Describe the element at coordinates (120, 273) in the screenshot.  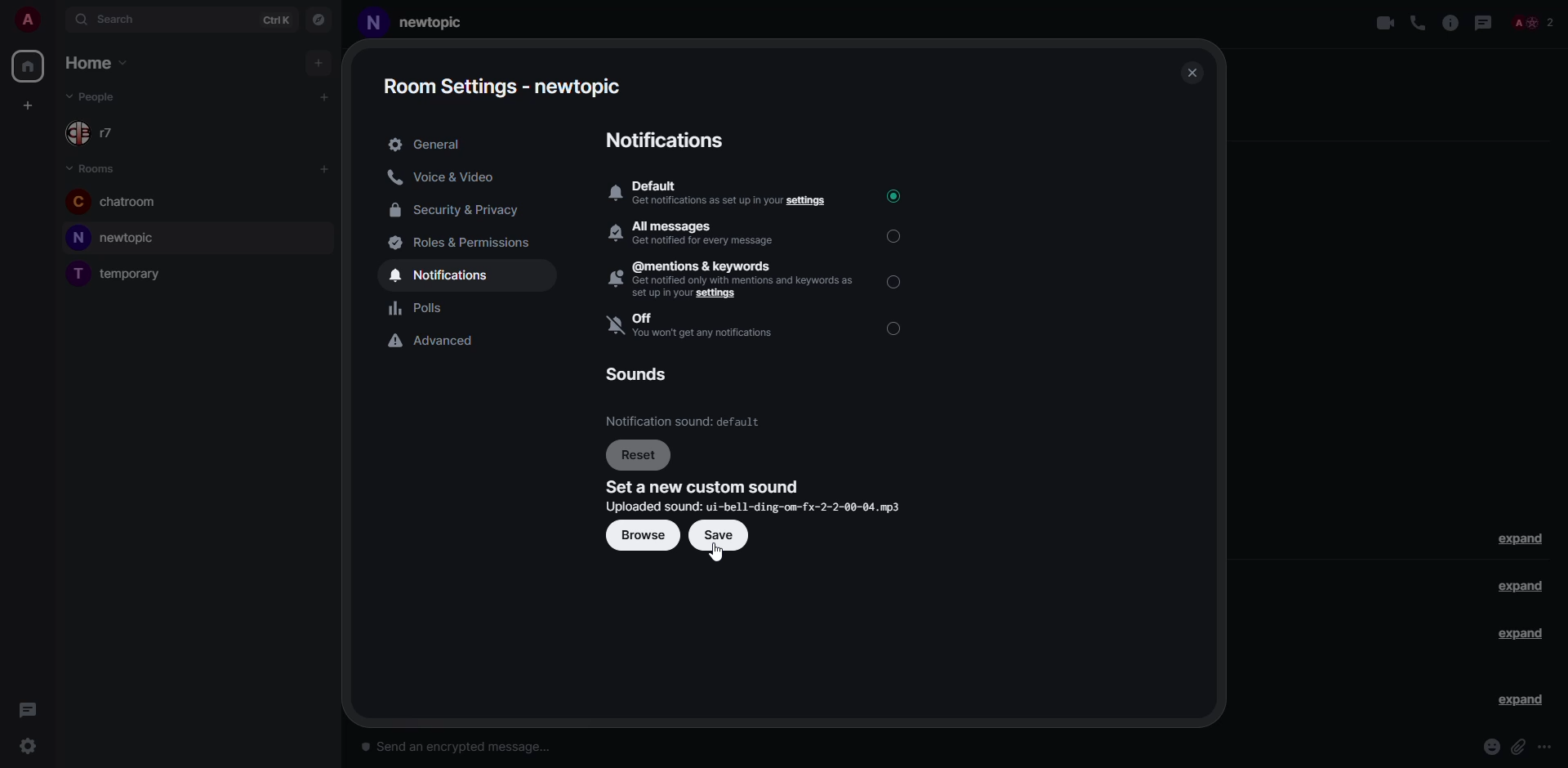
I see `room` at that location.